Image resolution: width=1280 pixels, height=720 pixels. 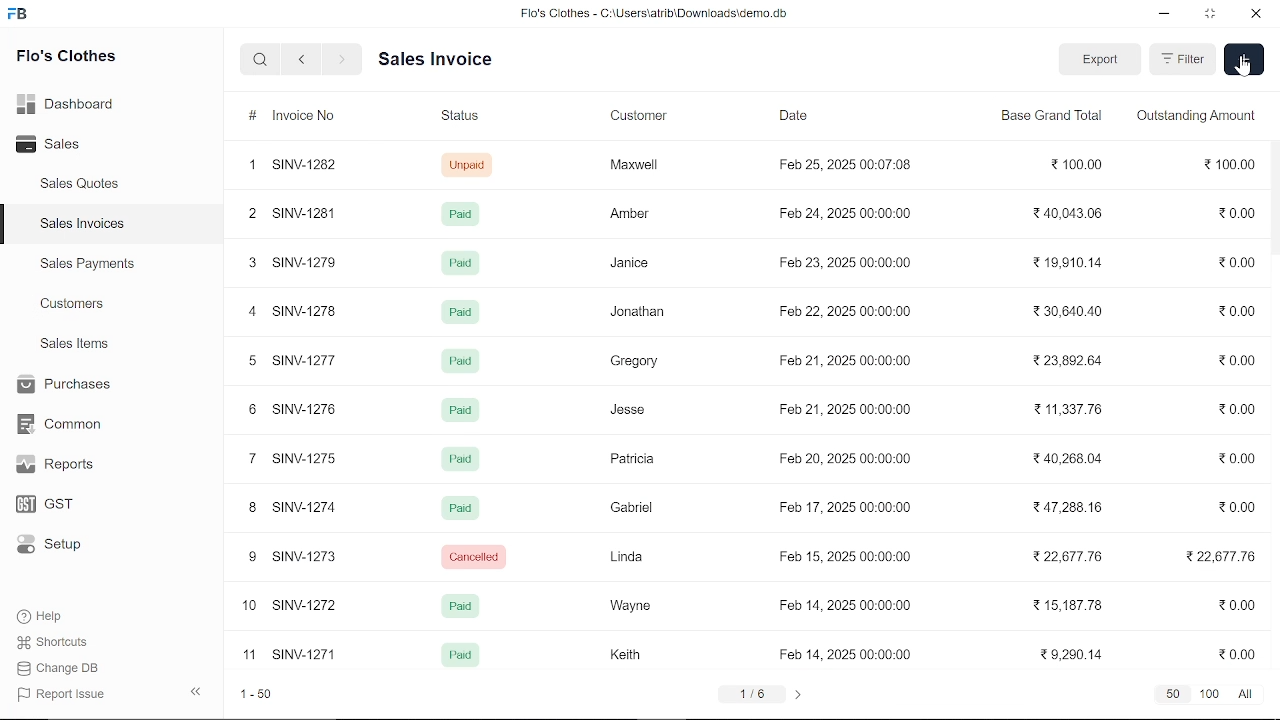 I want to click on search, so click(x=262, y=59).